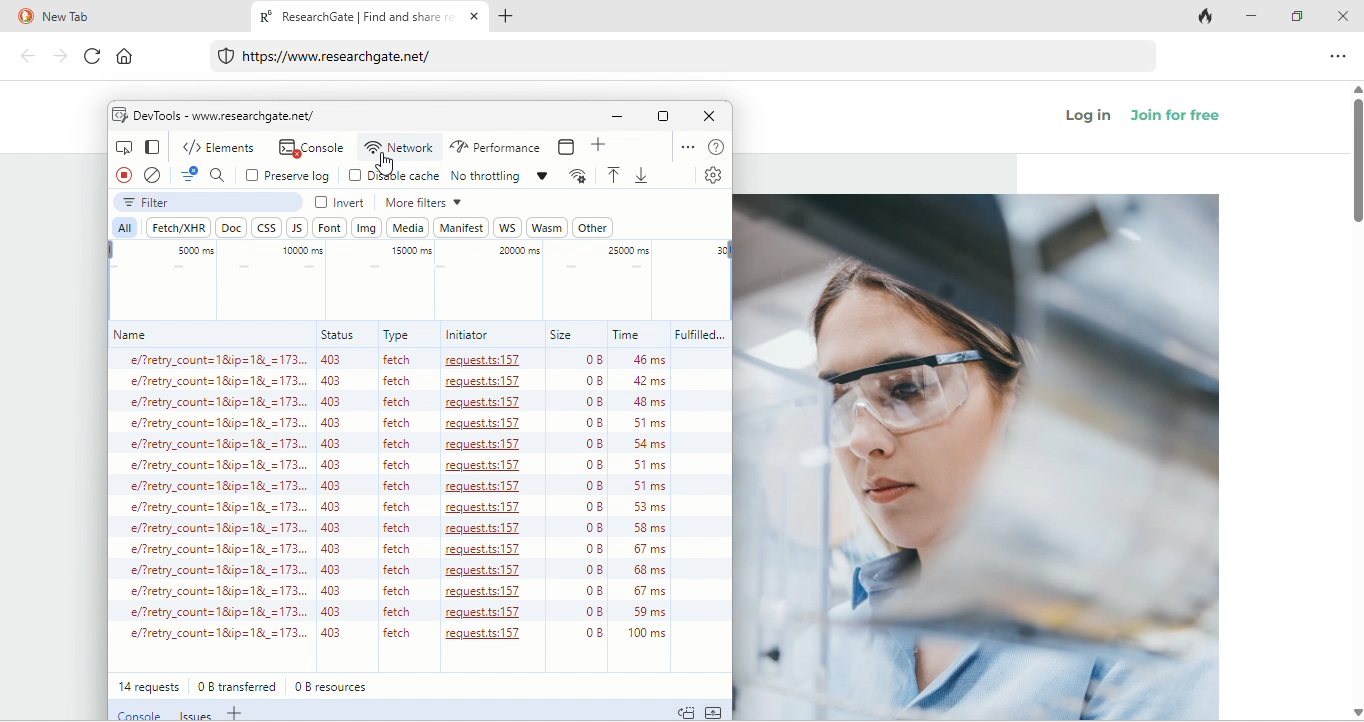  Describe the element at coordinates (353, 19) in the screenshot. I see `ResearchGate | Find and share` at that location.